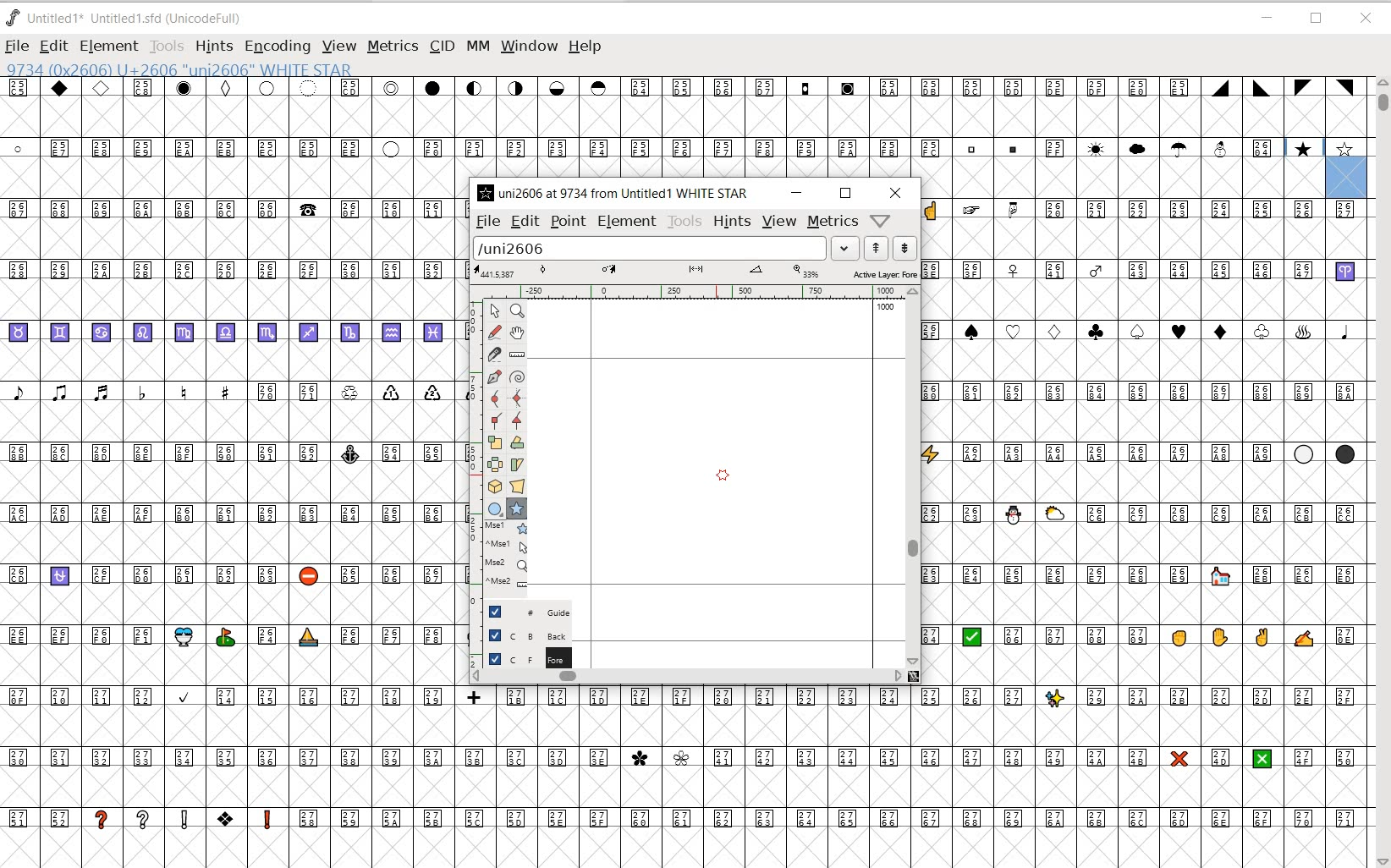 The image size is (1391, 868). Describe the element at coordinates (516, 509) in the screenshot. I see `POLYGON OR STAR` at that location.